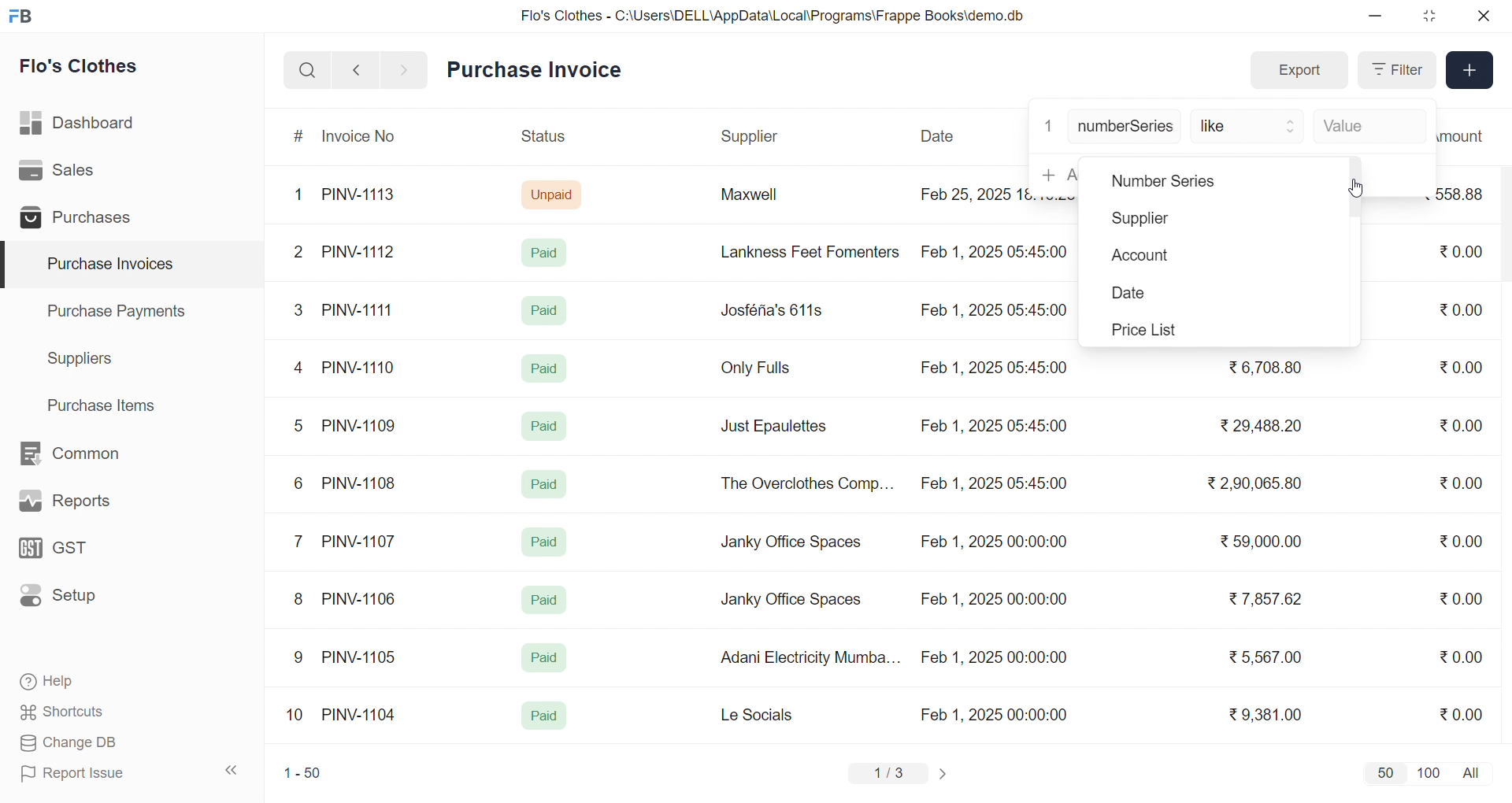 This screenshot has width=1512, height=803. What do you see at coordinates (1162, 294) in the screenshot?
I see `Date` at bounding box center [1162, 294].